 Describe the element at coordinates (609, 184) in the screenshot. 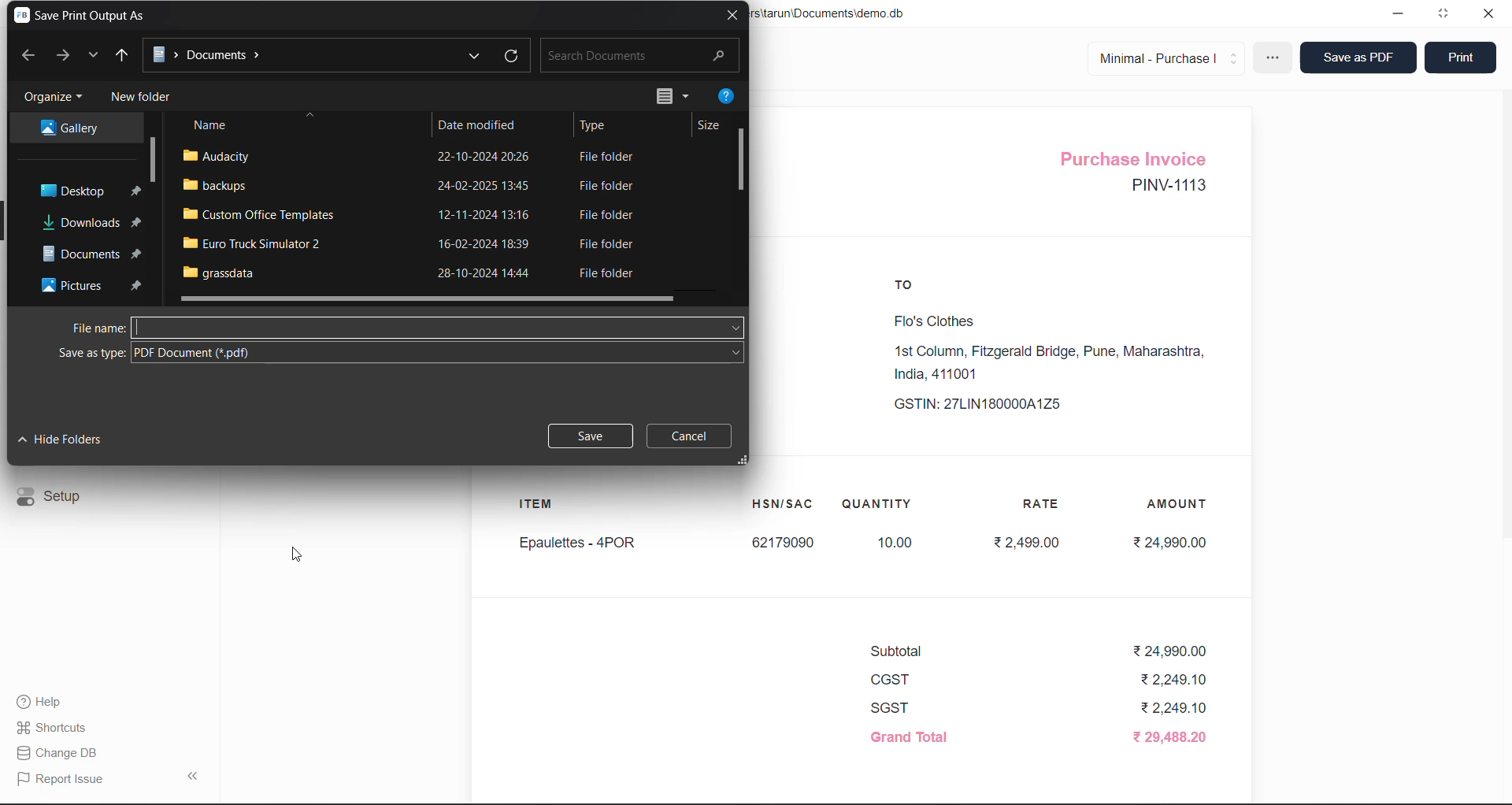

I see `File folder` at that location.